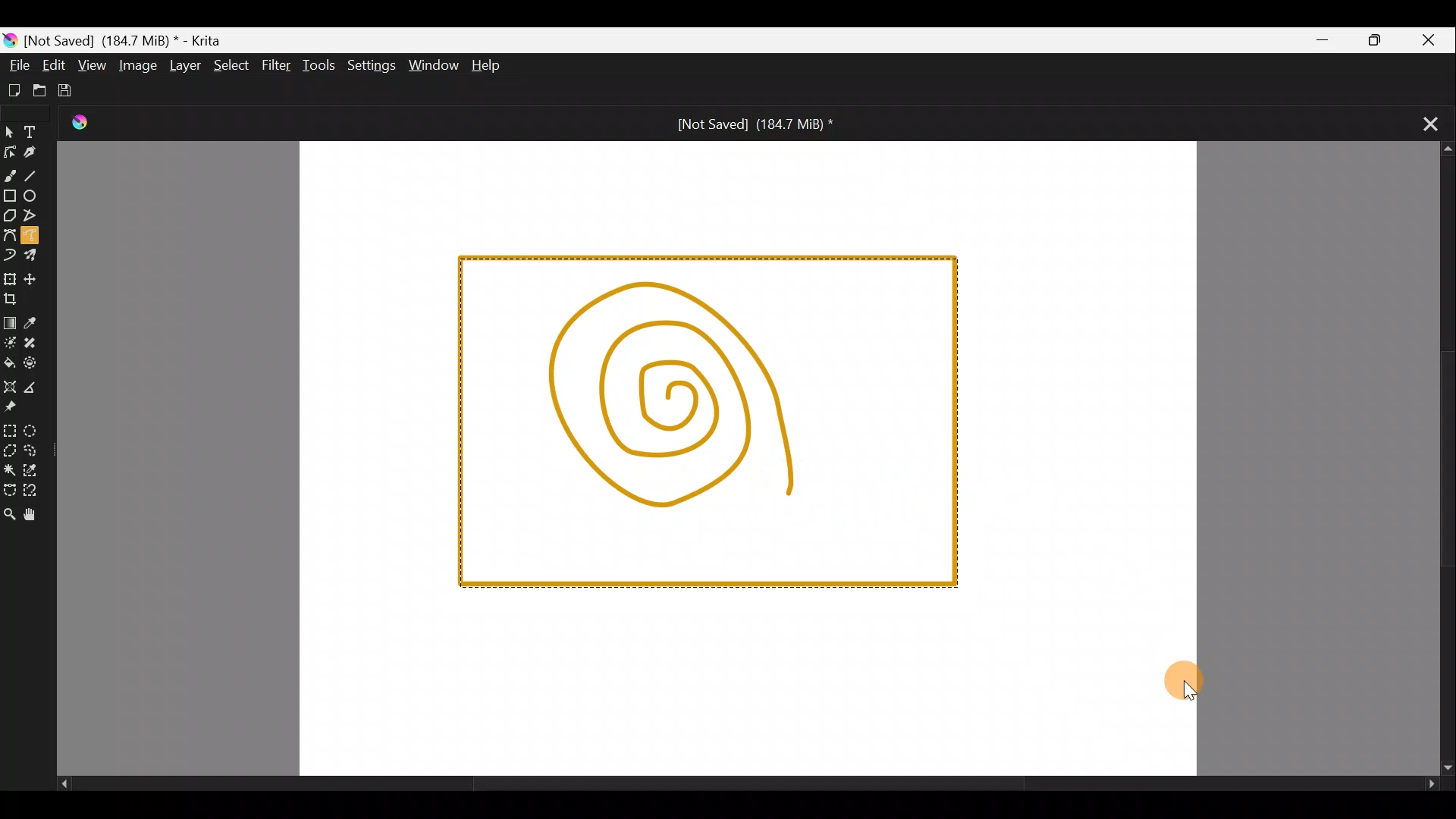 This screenshot has width=1456, height=819. Describe the element at coordinates (11, 130) in the screenshot. I see `Select shapes` at that location.